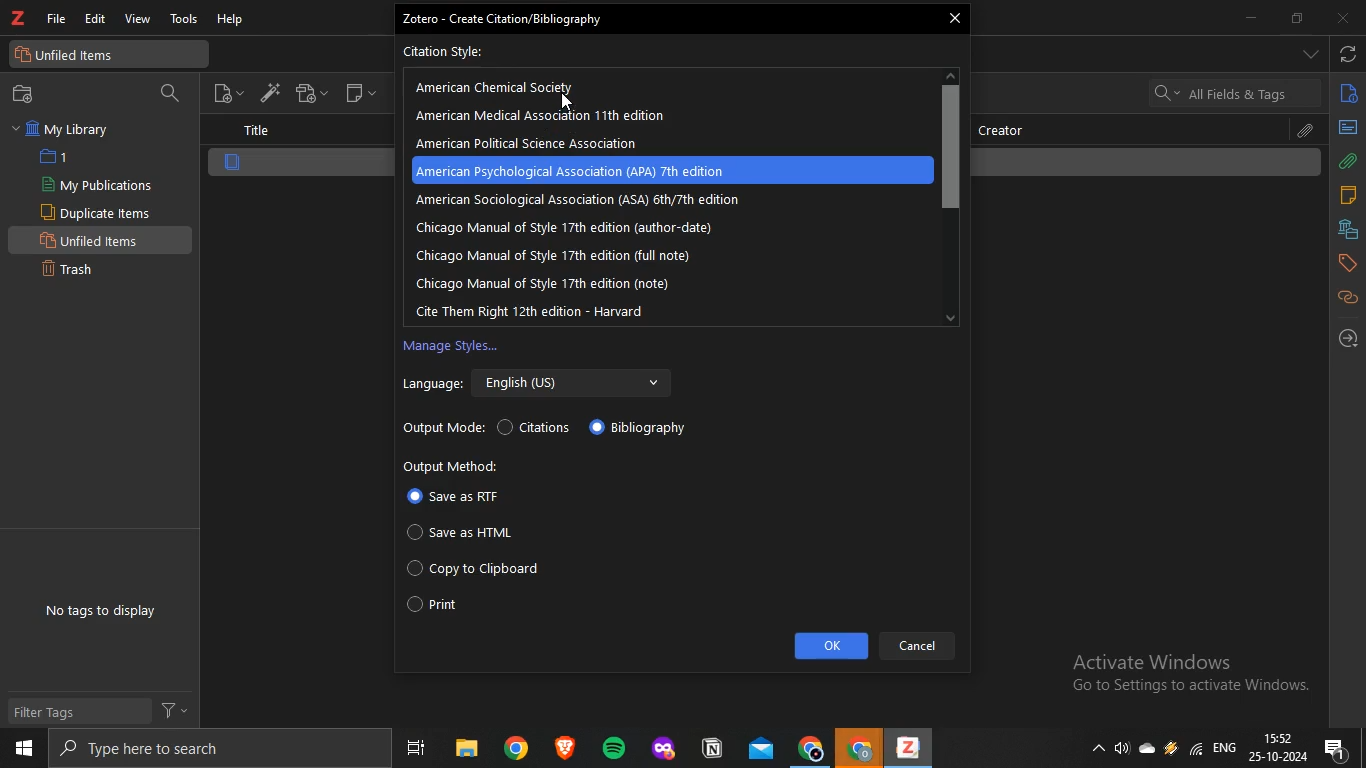 This screenshot has width=1366, height=768. I want to click on Save as HTML, so click(466, 534).